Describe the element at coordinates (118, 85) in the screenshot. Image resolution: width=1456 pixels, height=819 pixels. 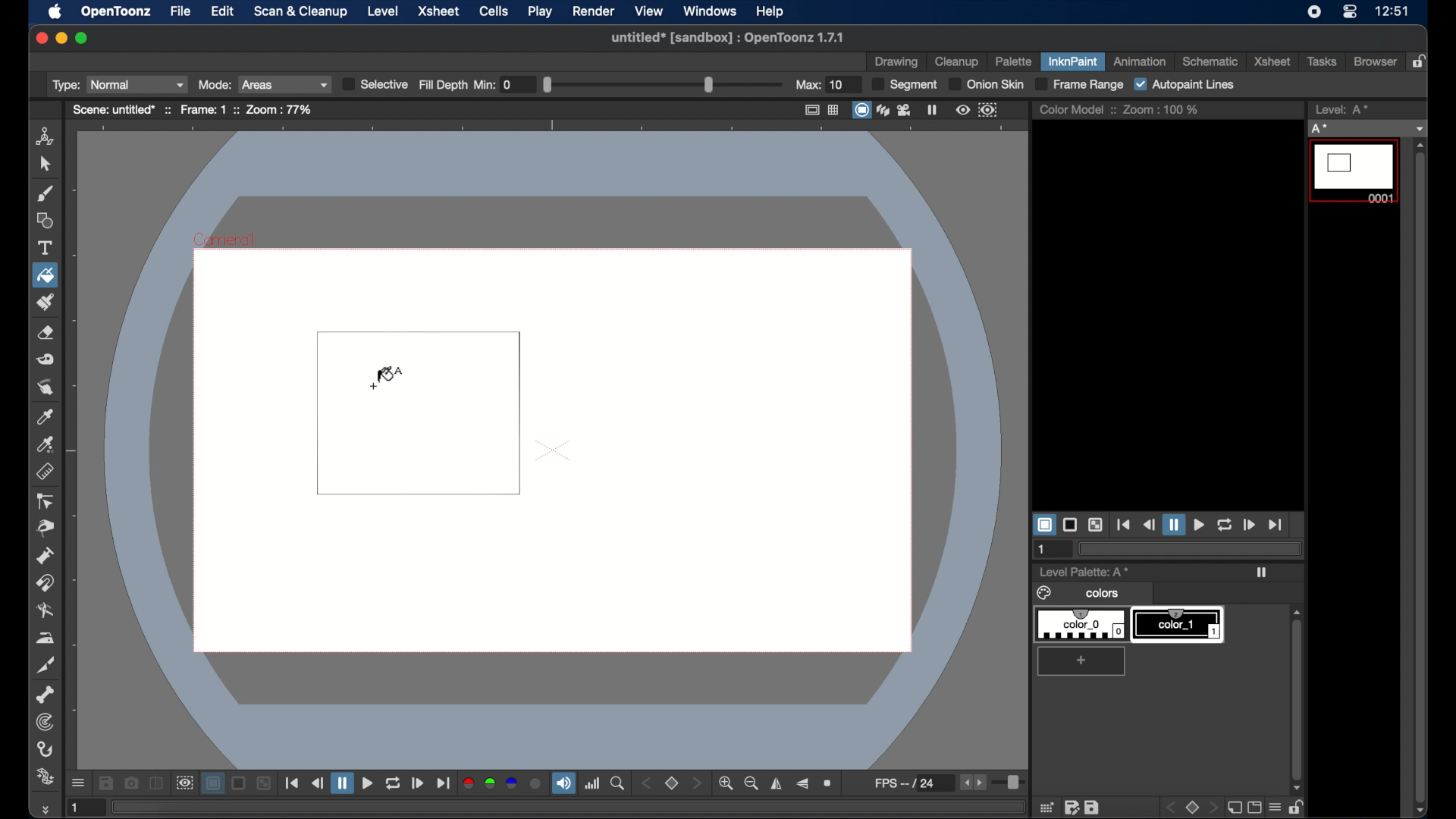
I see `Type` at that location.